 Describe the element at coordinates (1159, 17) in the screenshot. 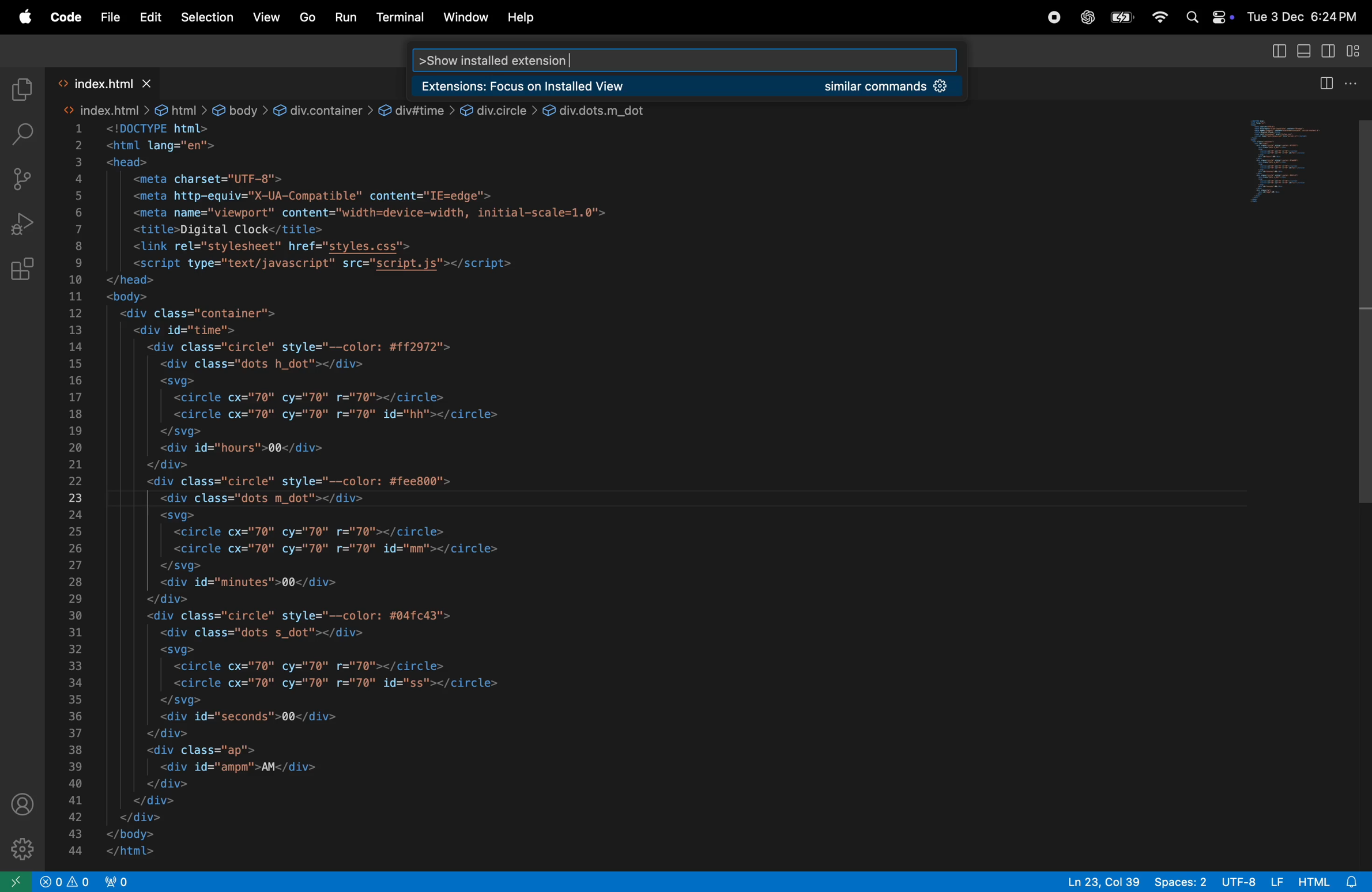

I see `wifi` at that location.